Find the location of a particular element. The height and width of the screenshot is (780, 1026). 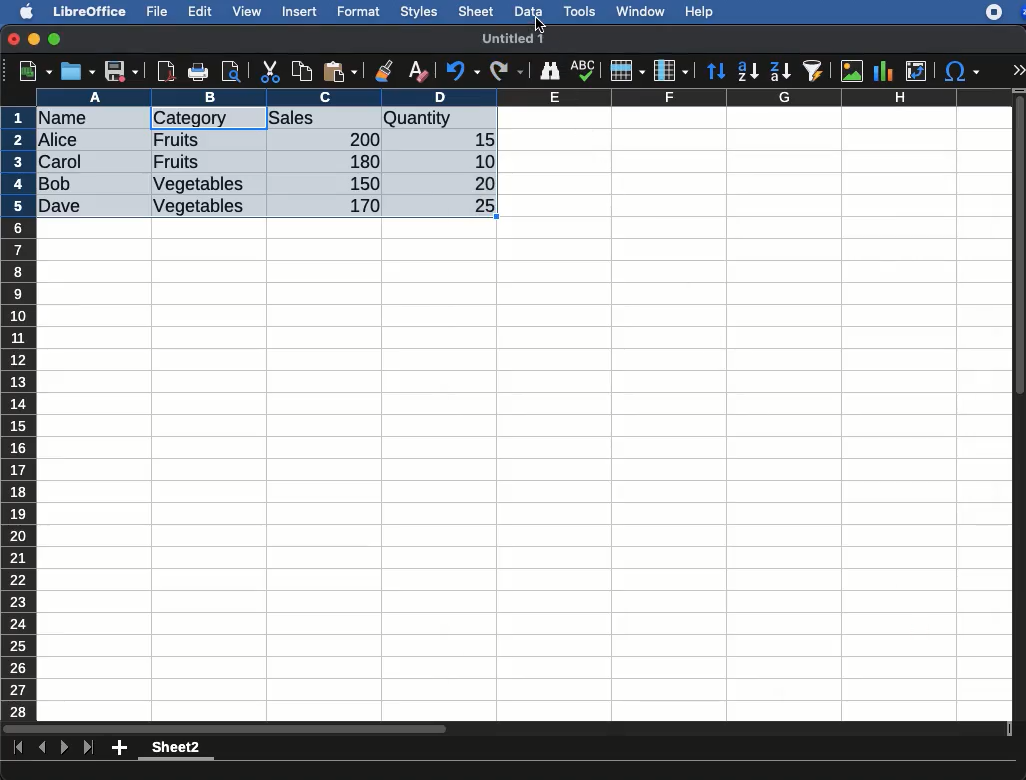

autofilter is located at coordinates (814, 70).